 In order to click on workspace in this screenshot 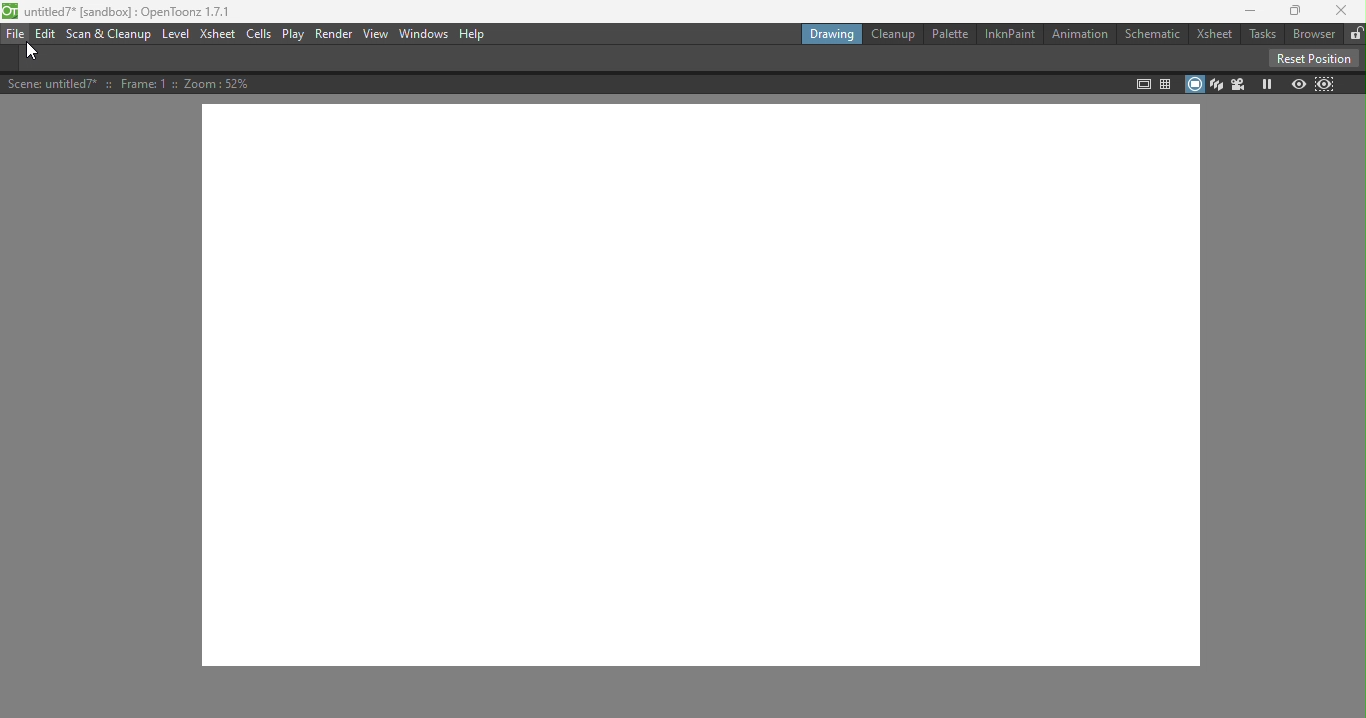, I will do `click(703, 386)`.